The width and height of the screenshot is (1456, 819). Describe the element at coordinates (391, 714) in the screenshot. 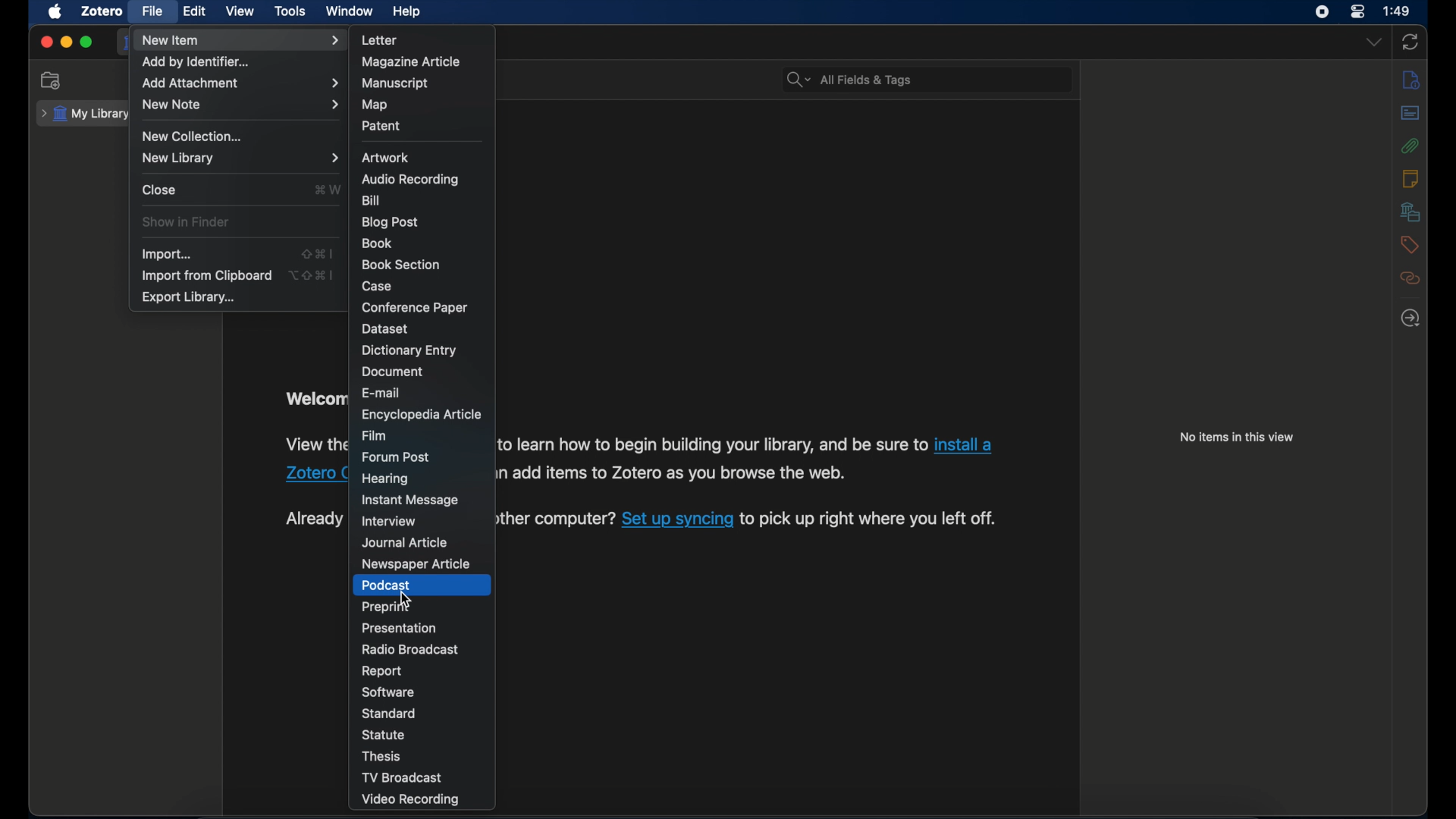

I see `standard` at that location.